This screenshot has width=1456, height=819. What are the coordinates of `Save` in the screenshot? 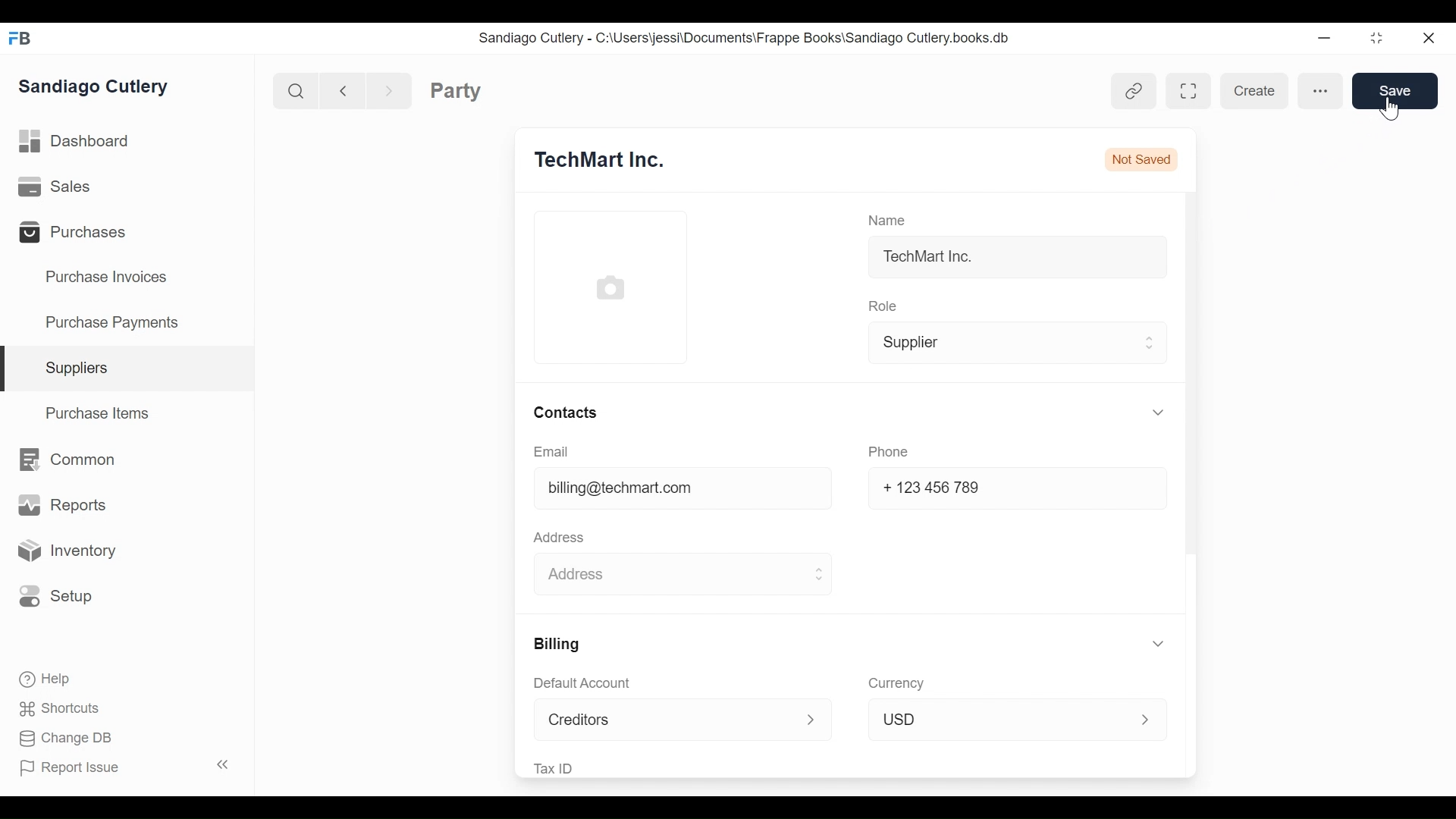 It's located at (1396, 93).